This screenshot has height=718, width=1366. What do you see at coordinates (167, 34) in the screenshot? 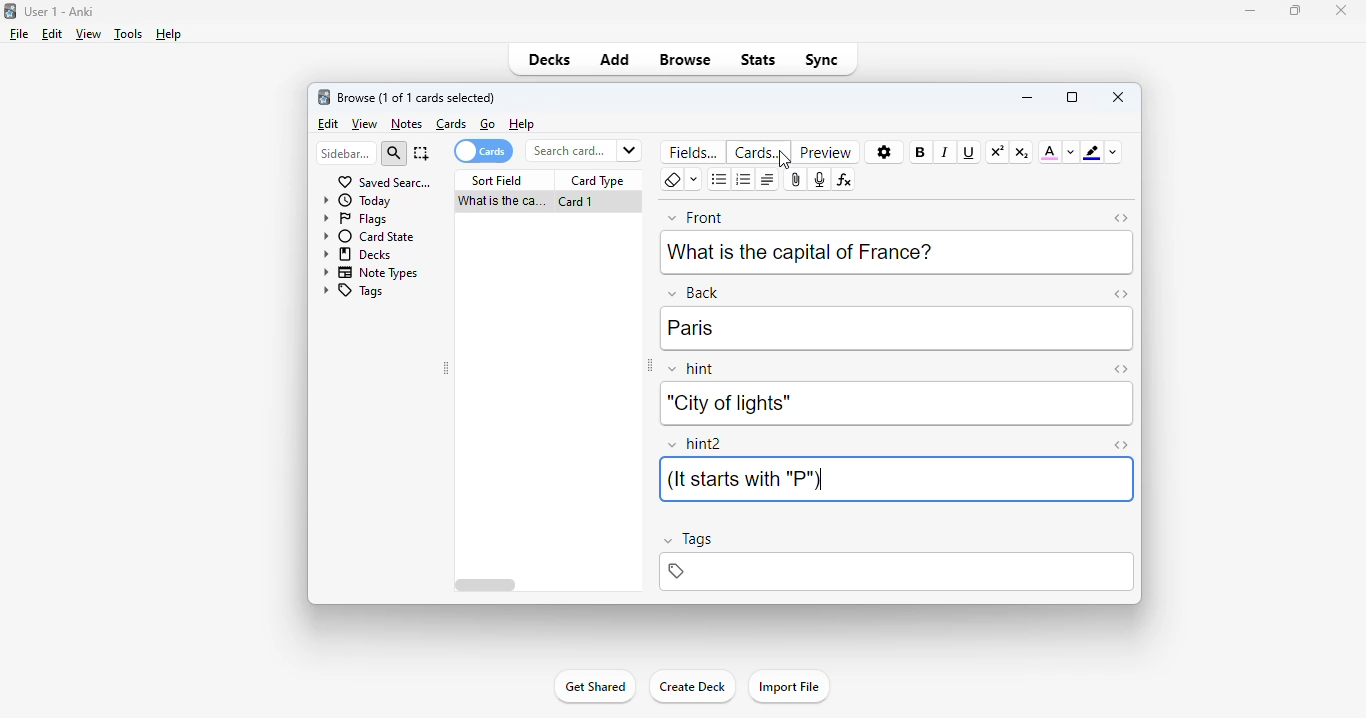
I see `help` at bounding box center [167, 34].